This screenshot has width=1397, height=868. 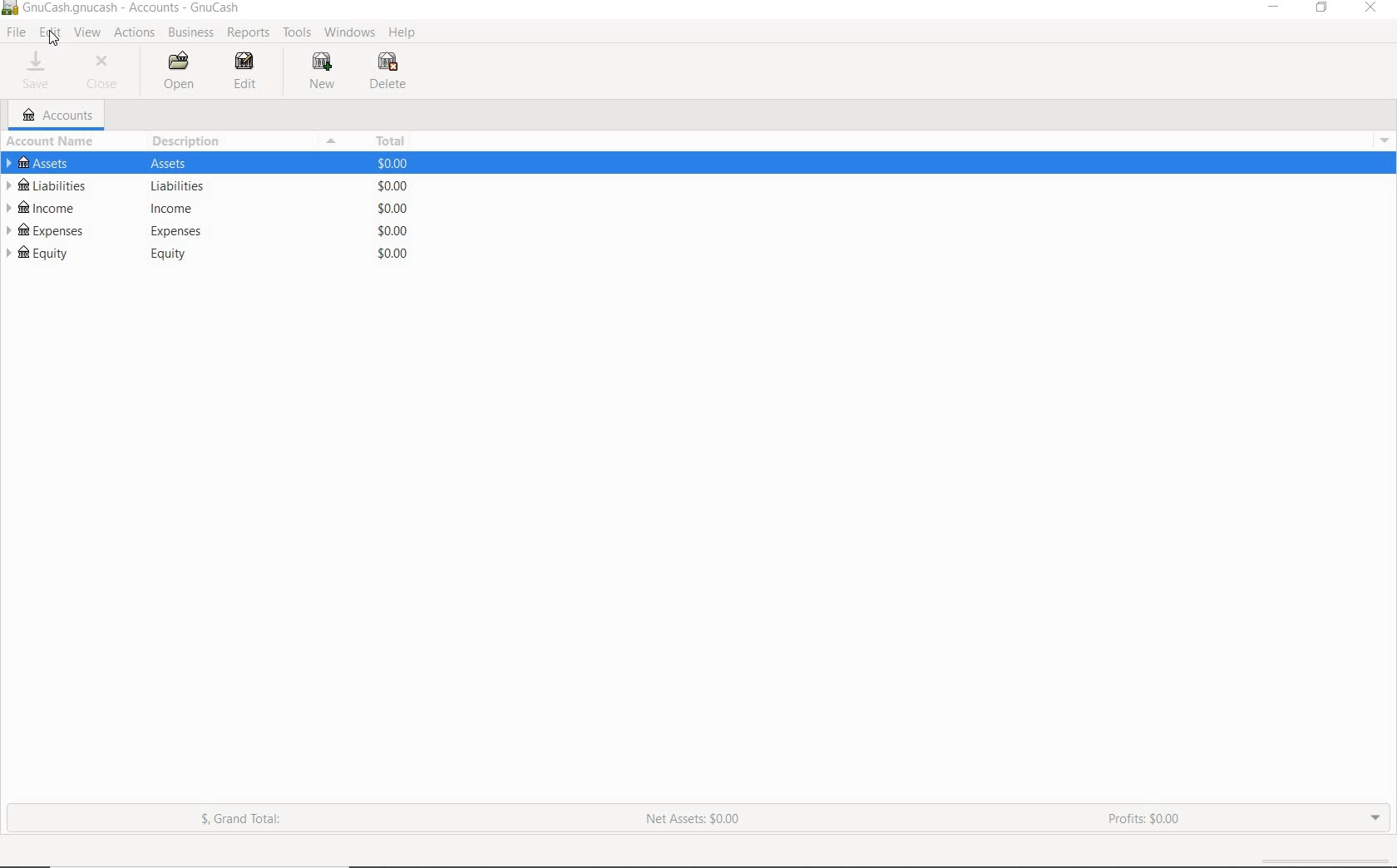 I want to click on ACCOUNT NAME, so click(x=50, y=142).